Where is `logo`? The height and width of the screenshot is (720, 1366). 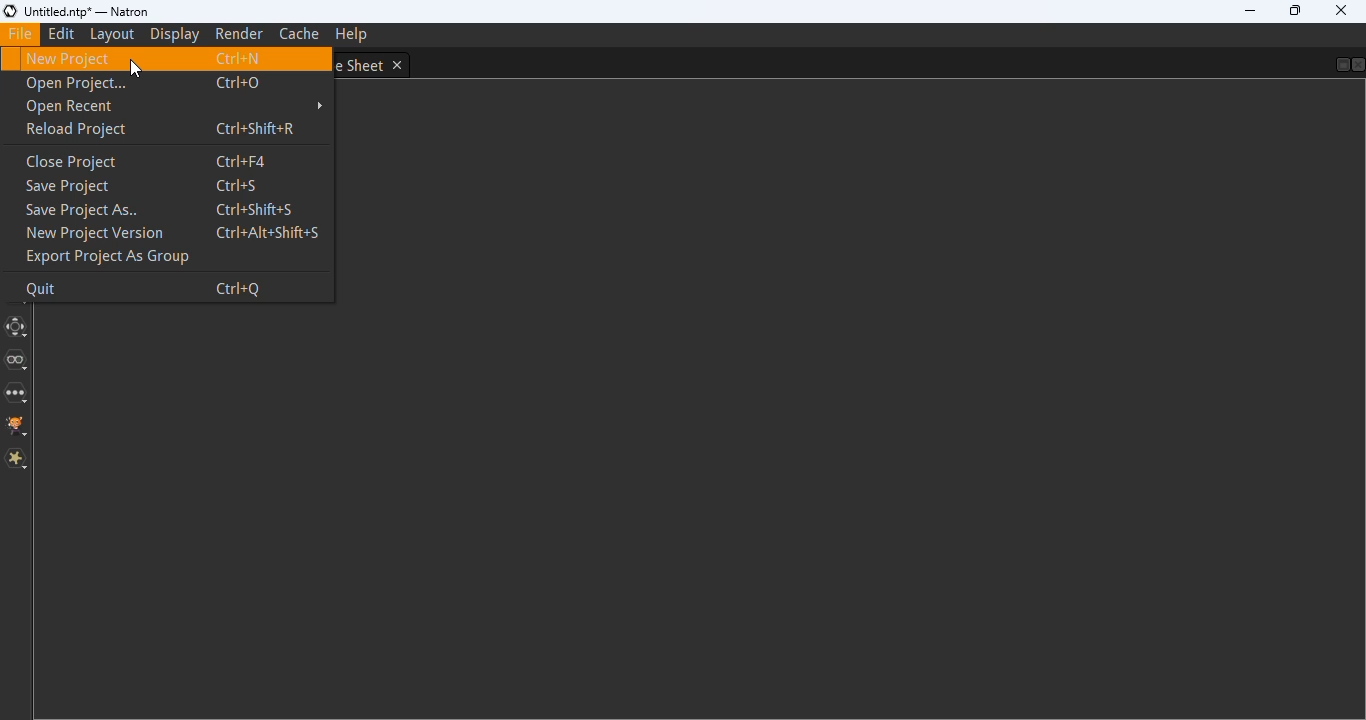
logo is located at coordinates (10, 11).